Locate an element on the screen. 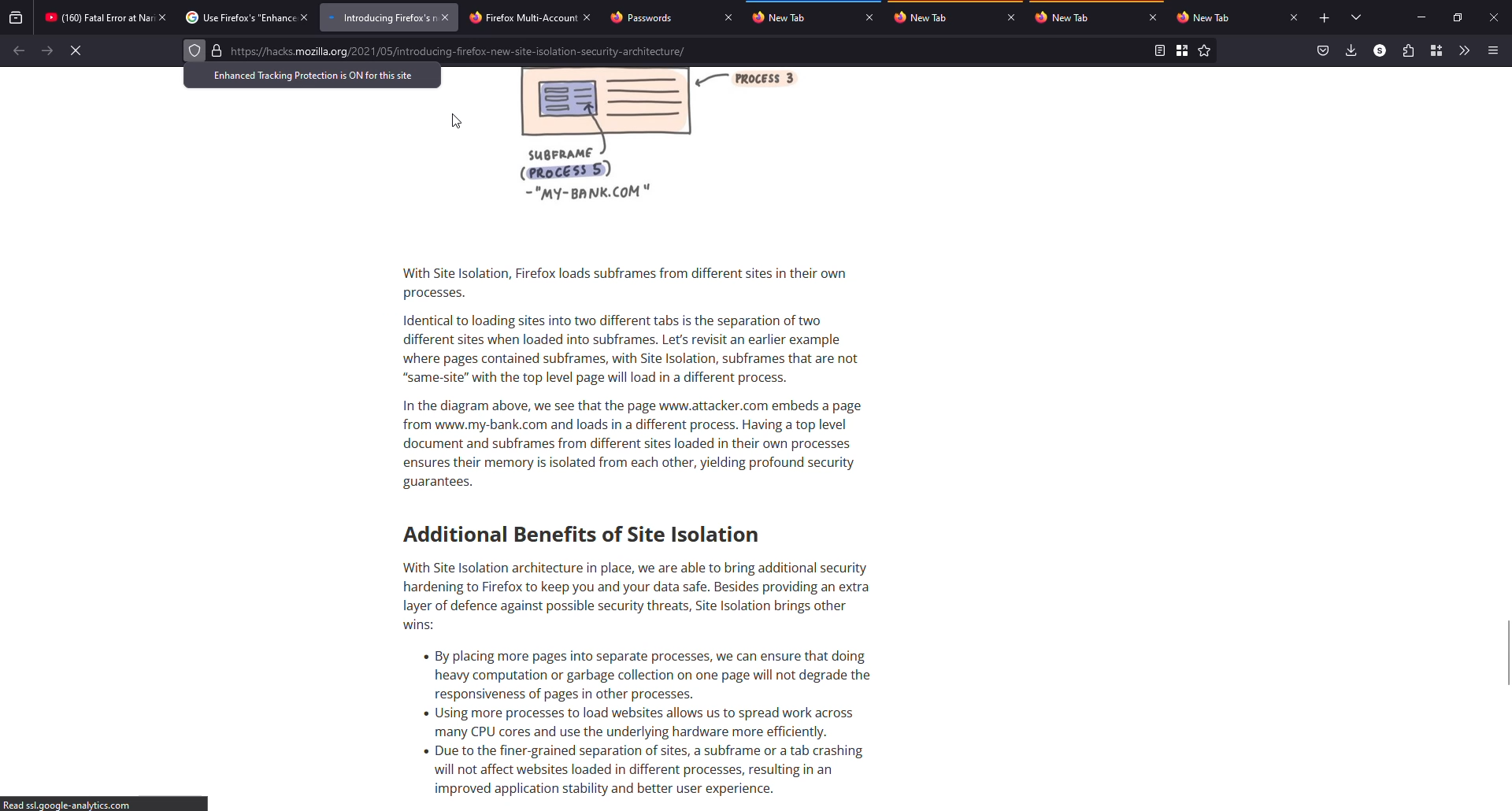 The image size is (1512, 811). profile is located at coordinates (1379, 50).